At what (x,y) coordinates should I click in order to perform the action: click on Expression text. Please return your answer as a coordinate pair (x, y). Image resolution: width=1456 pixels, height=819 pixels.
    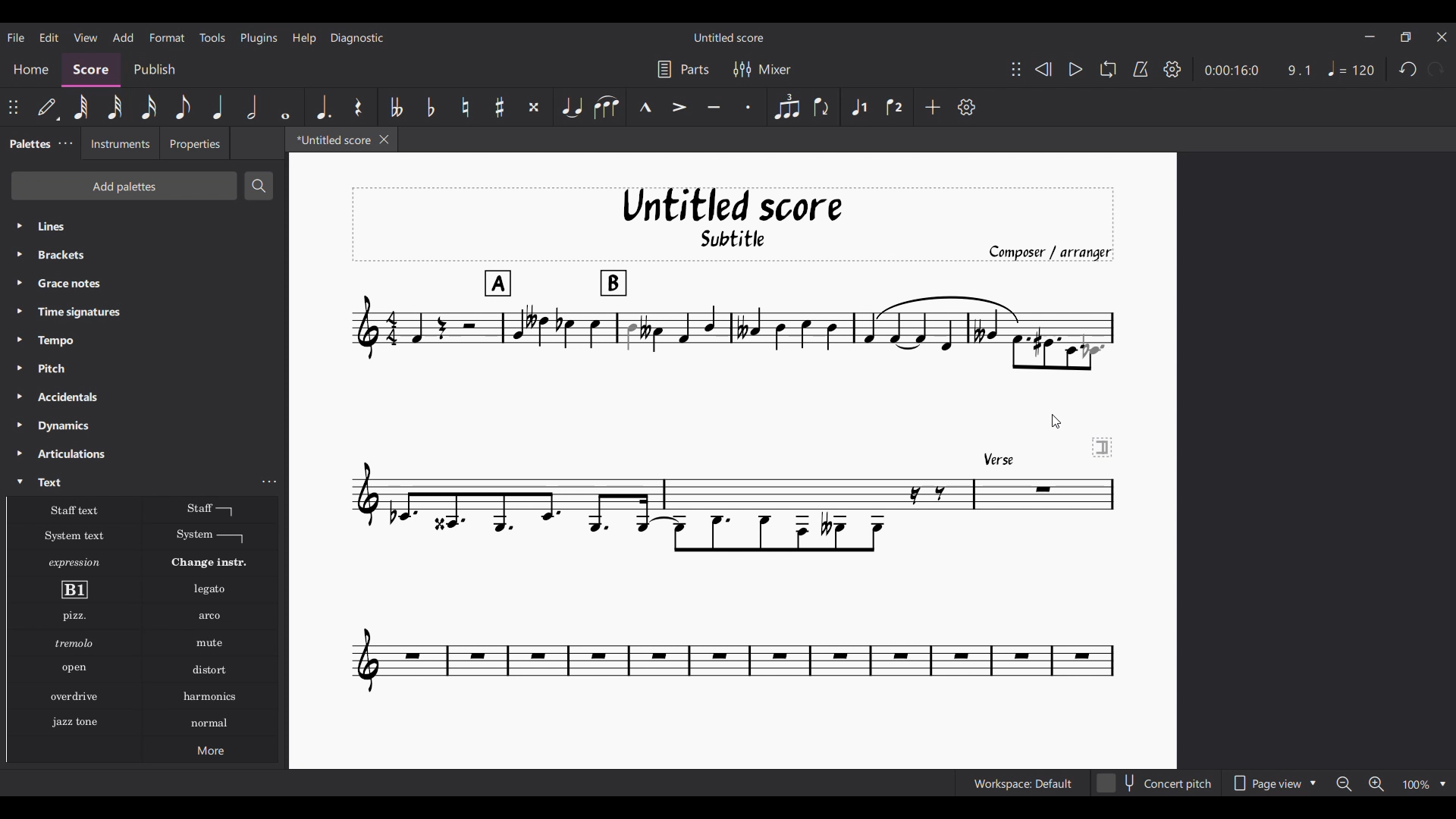
    Looking at the image, I should click on (74, 563).